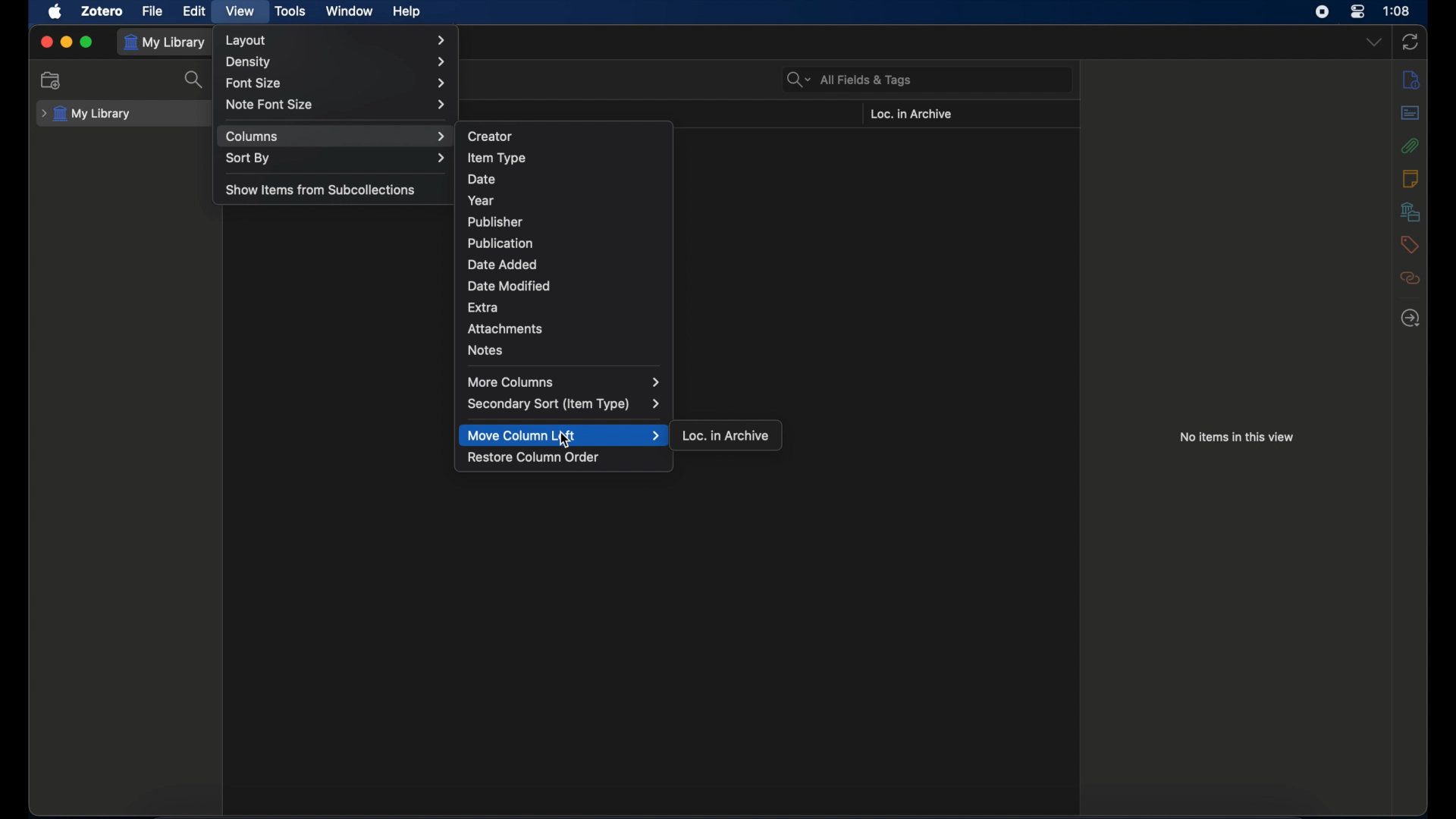  Describe the element at coordinates (566, 441) in the screenshot. I see `cursor` at that location.